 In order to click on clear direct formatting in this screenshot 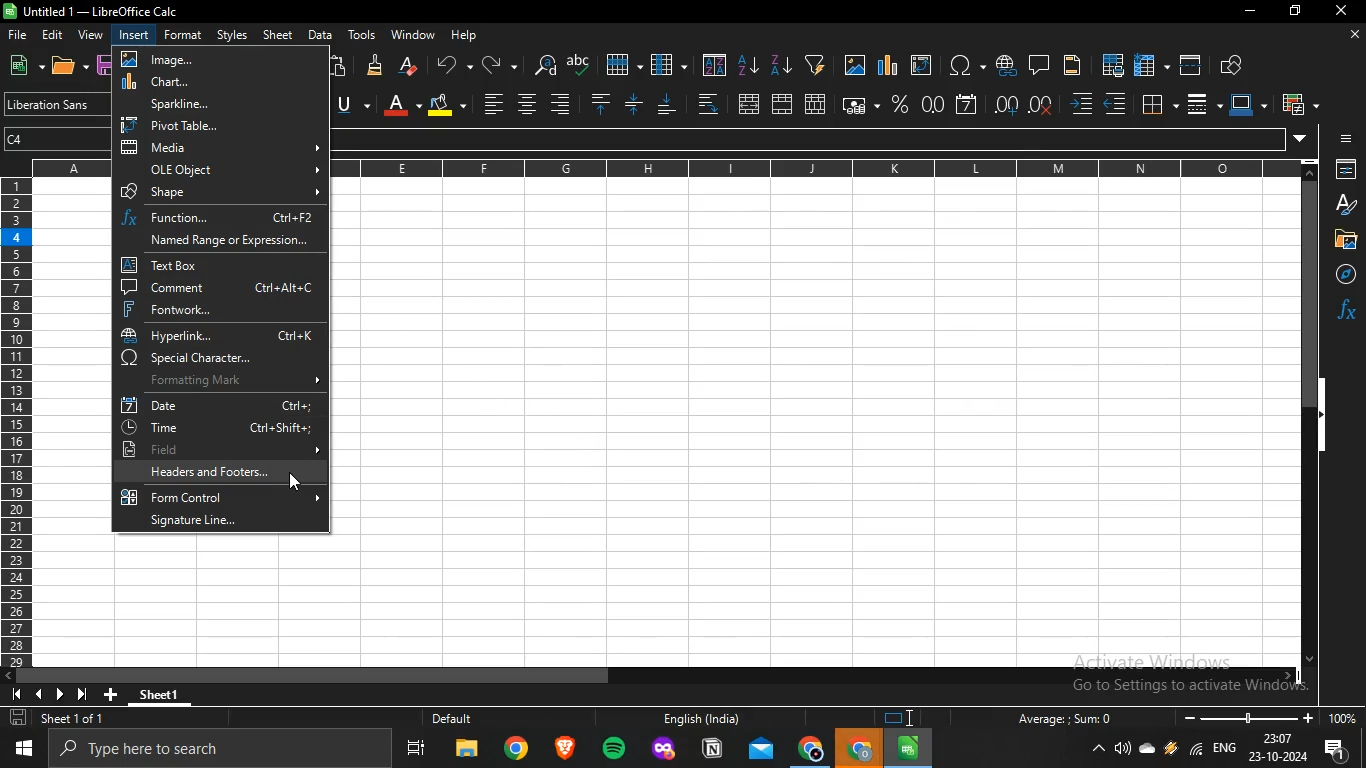, I will do `click(409, 65)`.